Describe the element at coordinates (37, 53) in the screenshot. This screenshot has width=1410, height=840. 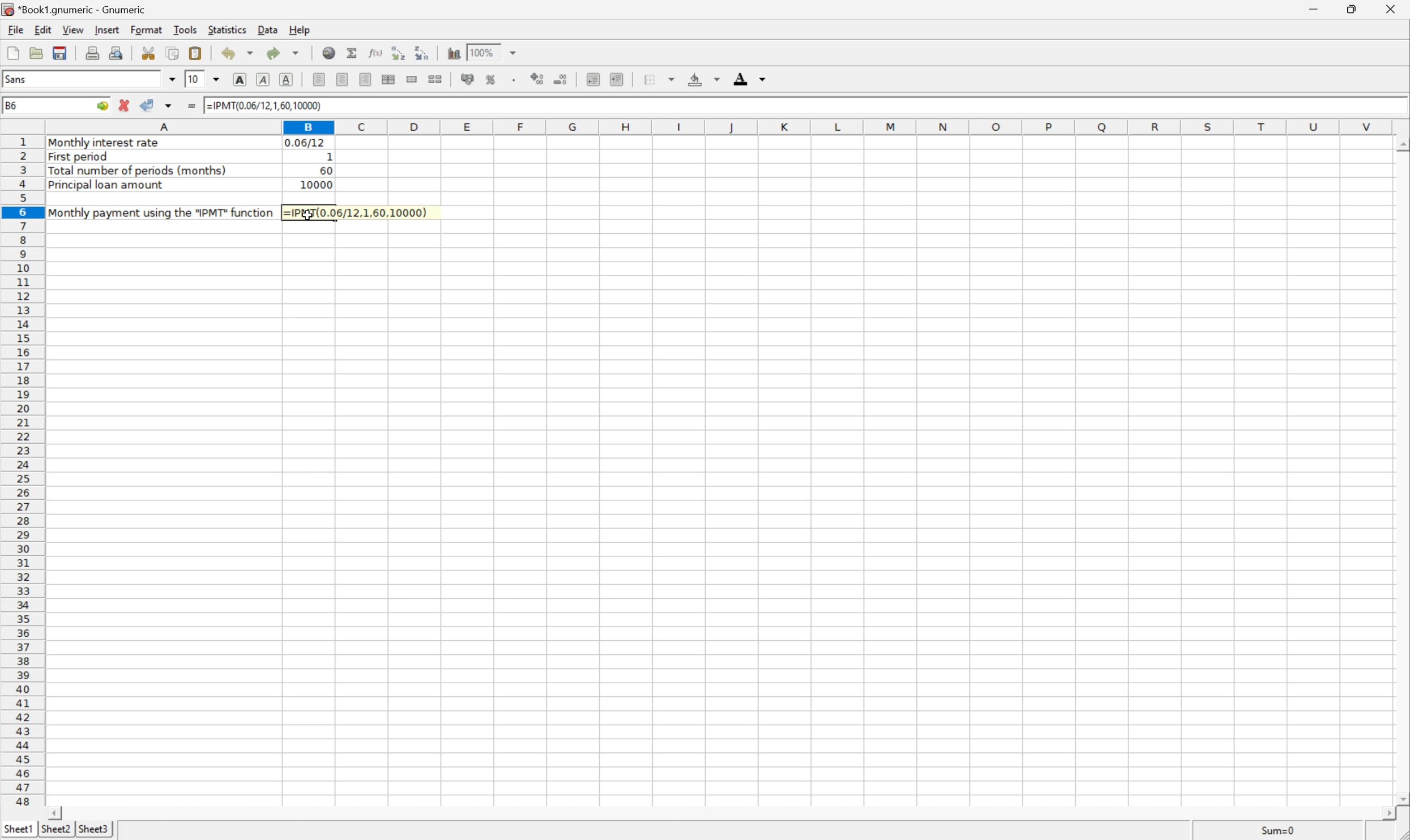
I see `Open a file` at that location.